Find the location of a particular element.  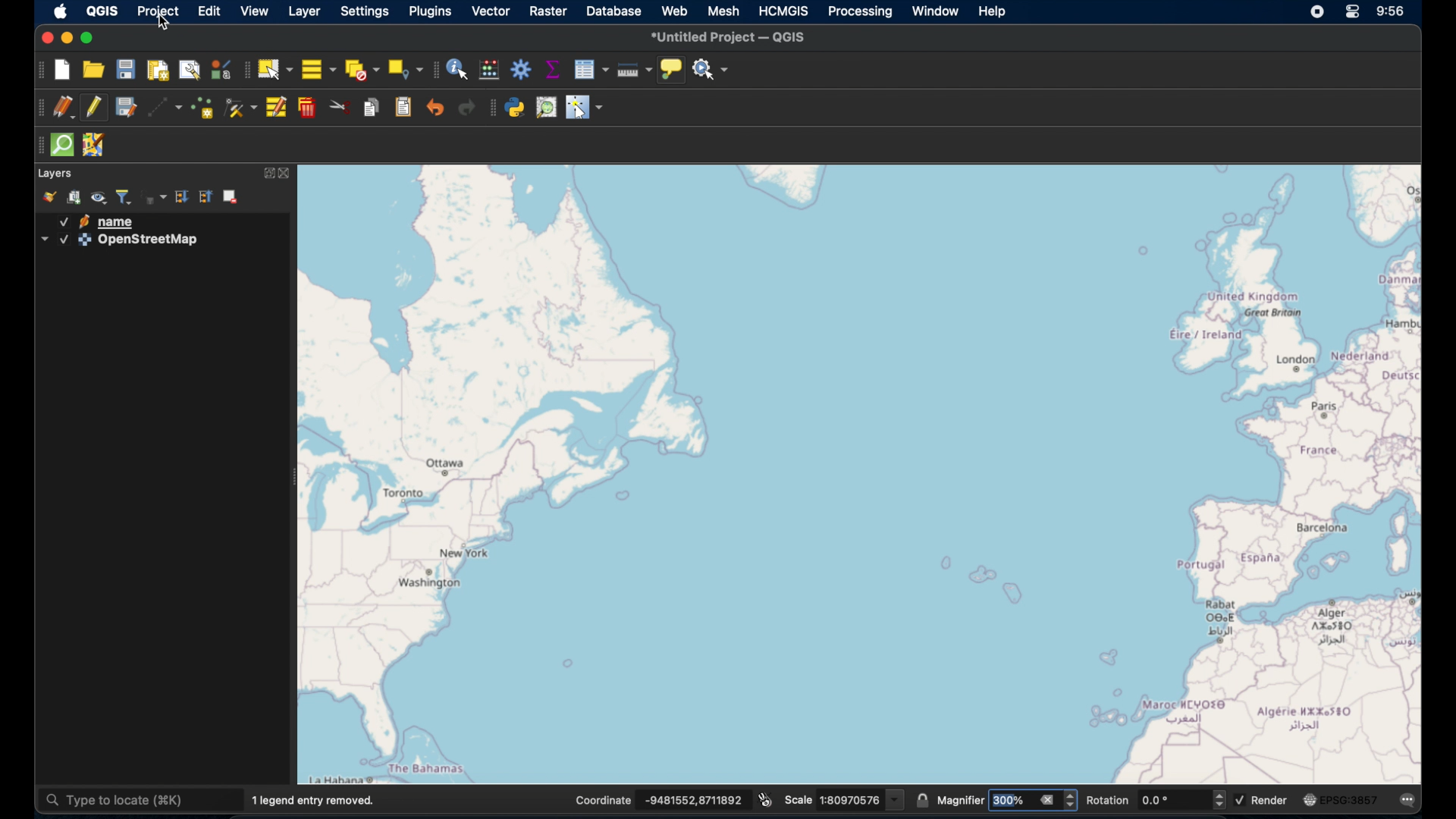

database is located at coordinates (613, 11).